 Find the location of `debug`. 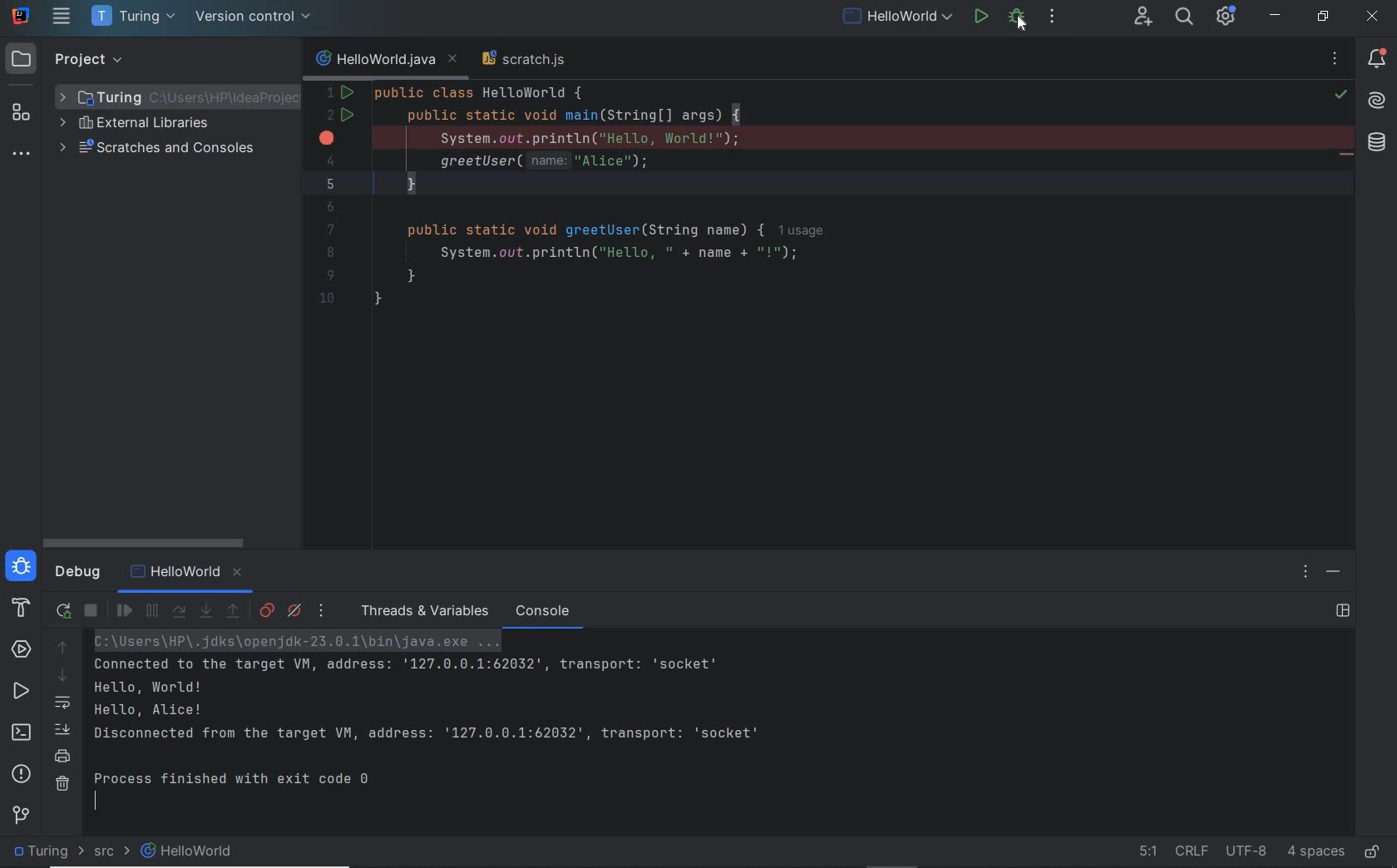

debug is located at coordinates (22, 569).